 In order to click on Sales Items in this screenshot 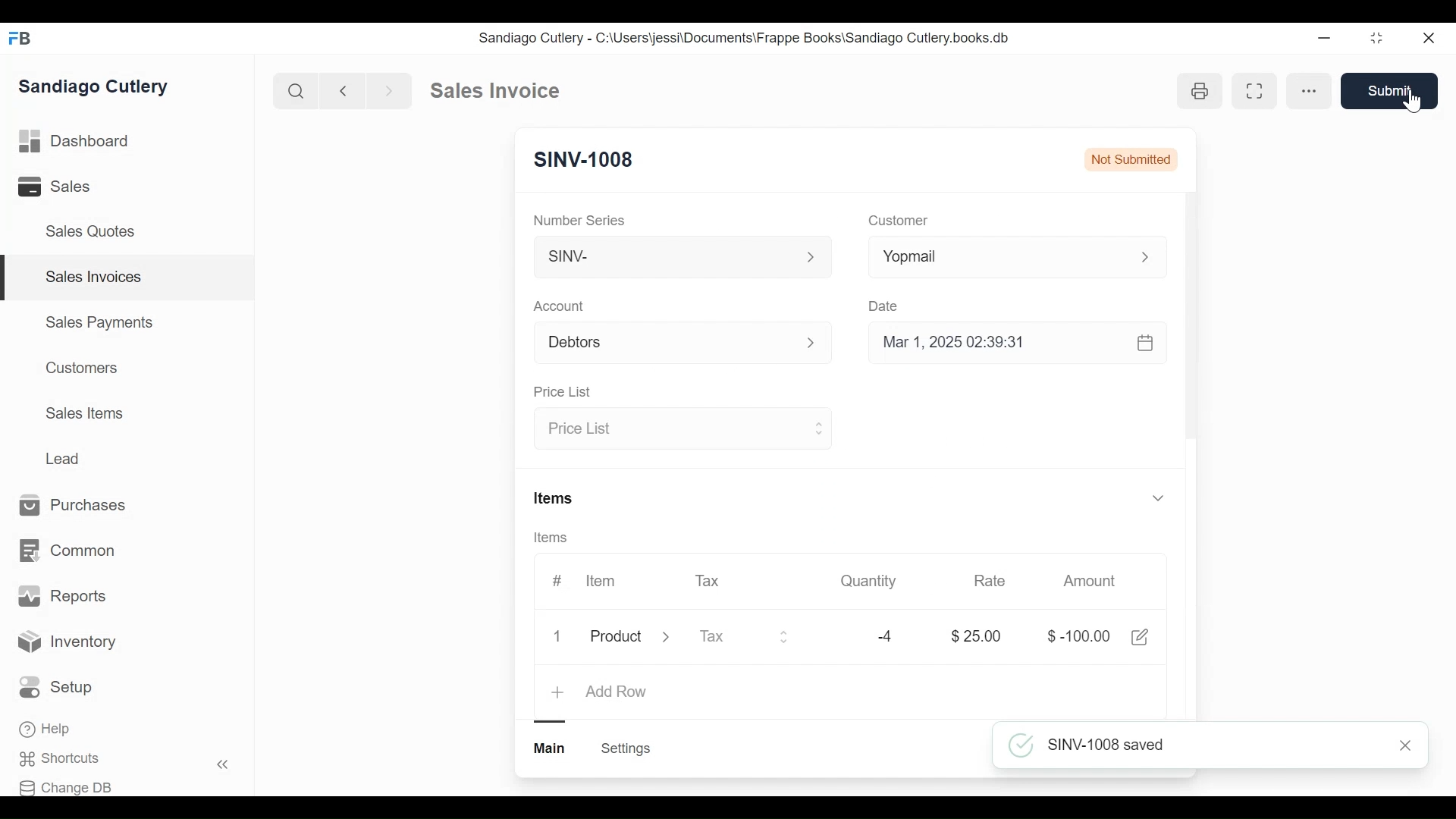, I will do `click(84, 413)`.